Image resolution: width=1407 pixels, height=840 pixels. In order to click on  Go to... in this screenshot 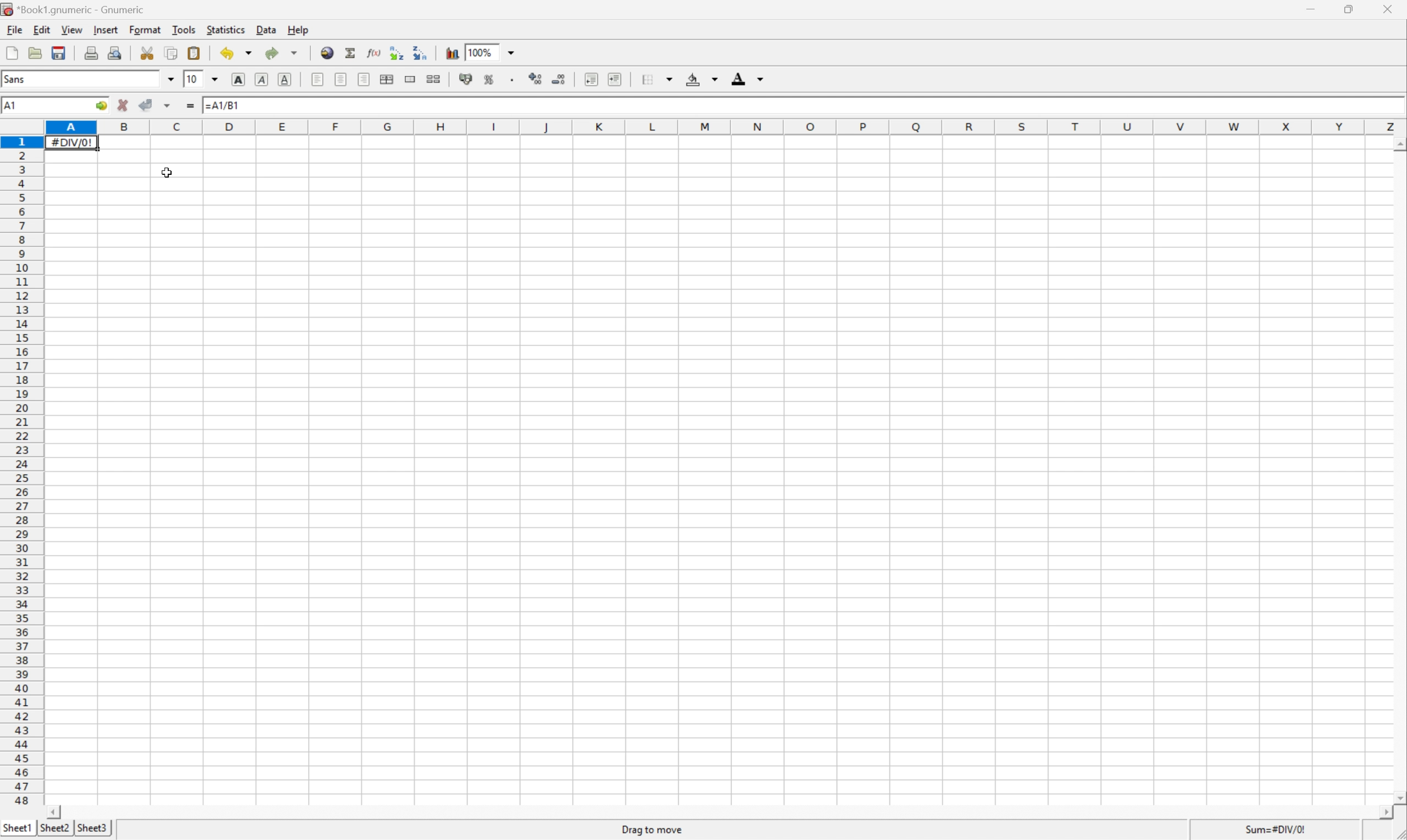, I will do `click(101, 105)`.